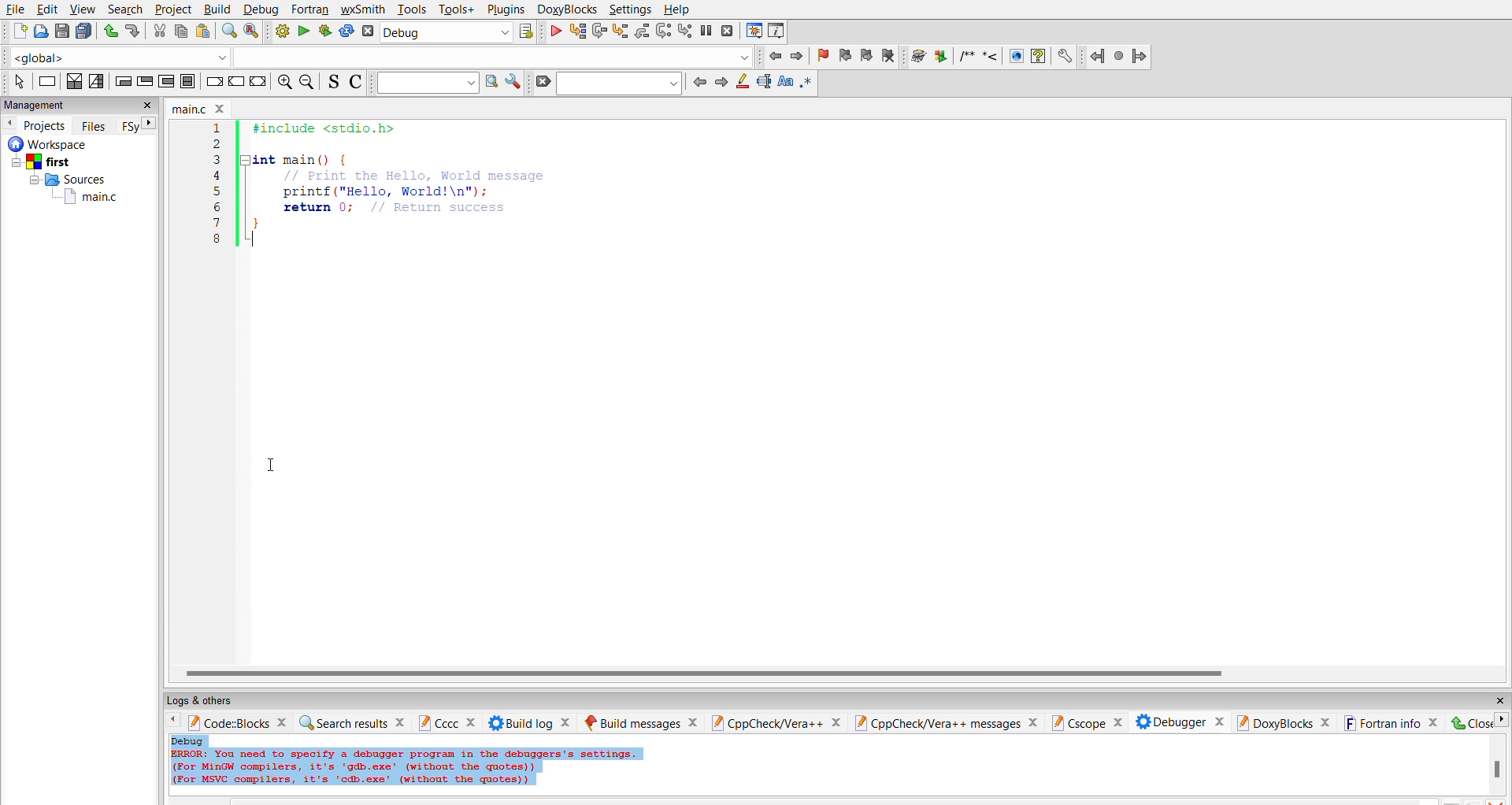 The width and height of the screenshot is (1512, 805). Describe the element at coordinates (707, 31) in the screenshot. I see `break debugger` at that location.